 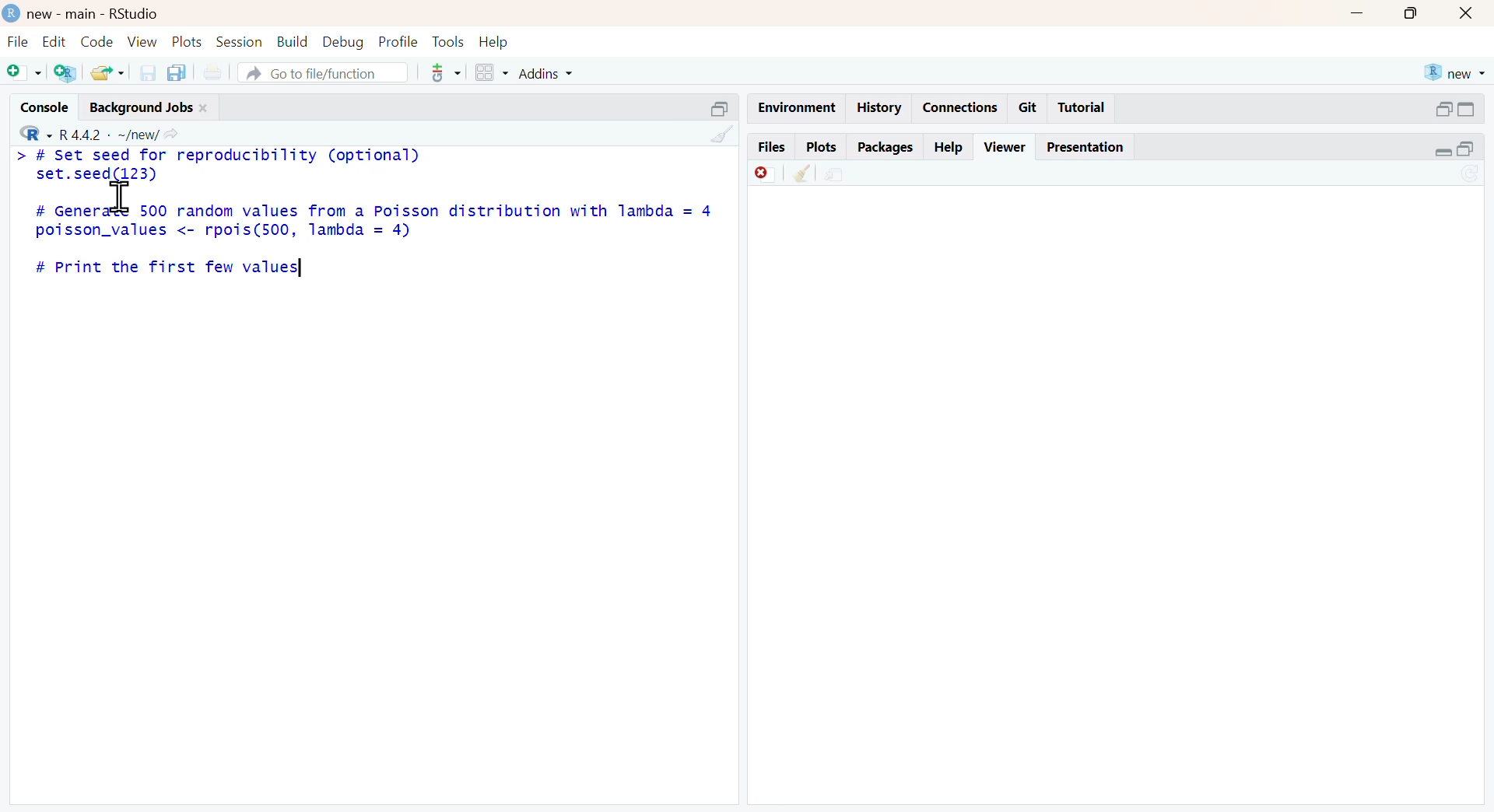 What do you see at coordinates (801, 174) in the screenshot?
I see `clean` at bounding box center [801, 174].